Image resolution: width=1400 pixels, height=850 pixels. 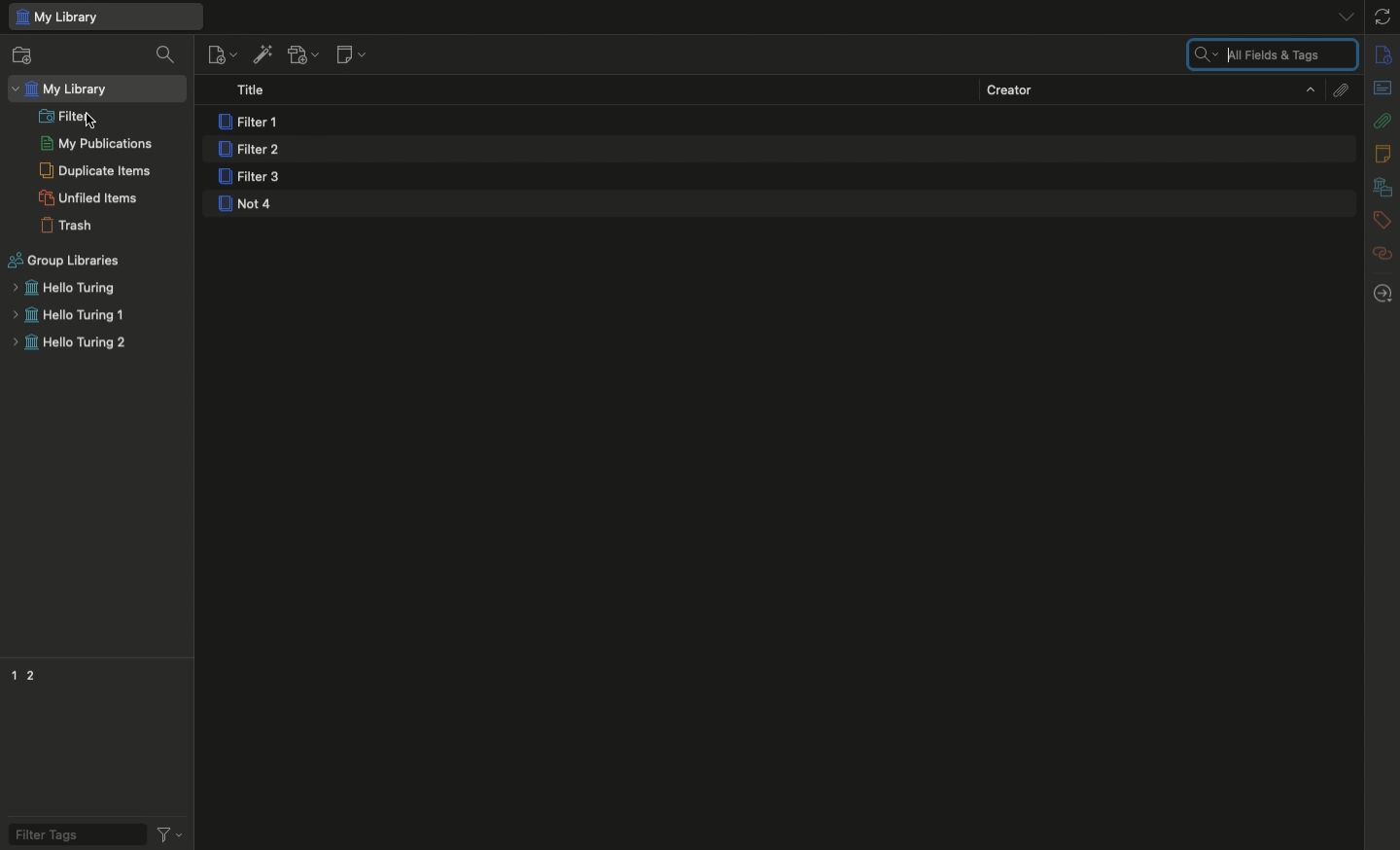 What do you see at coordinates (1385, 154) in the screenshot?
I see `Notes` at bounding box center [1385, 154].